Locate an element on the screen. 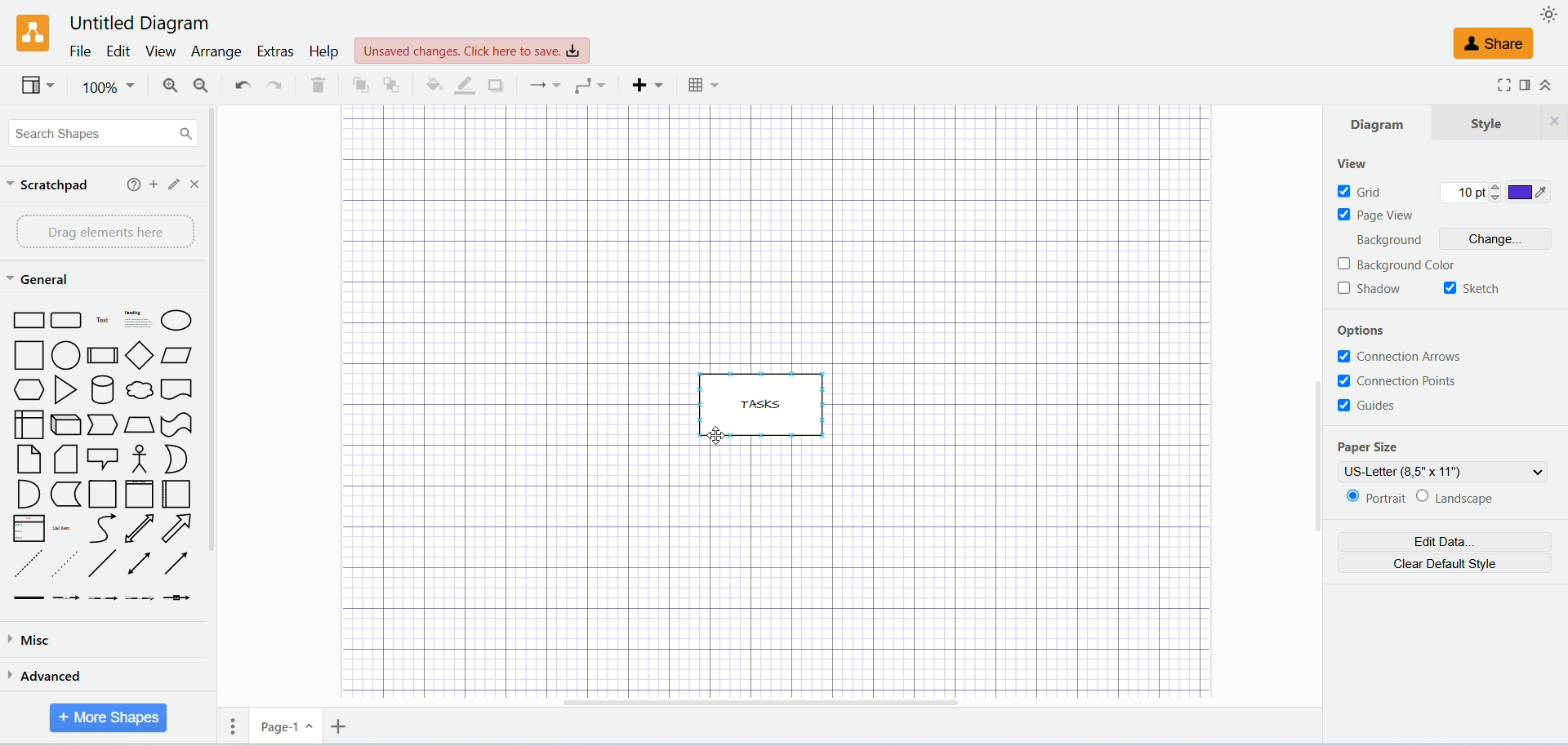 This screenshot has width=1568, height=746. List is located at coordinates (29, 528).